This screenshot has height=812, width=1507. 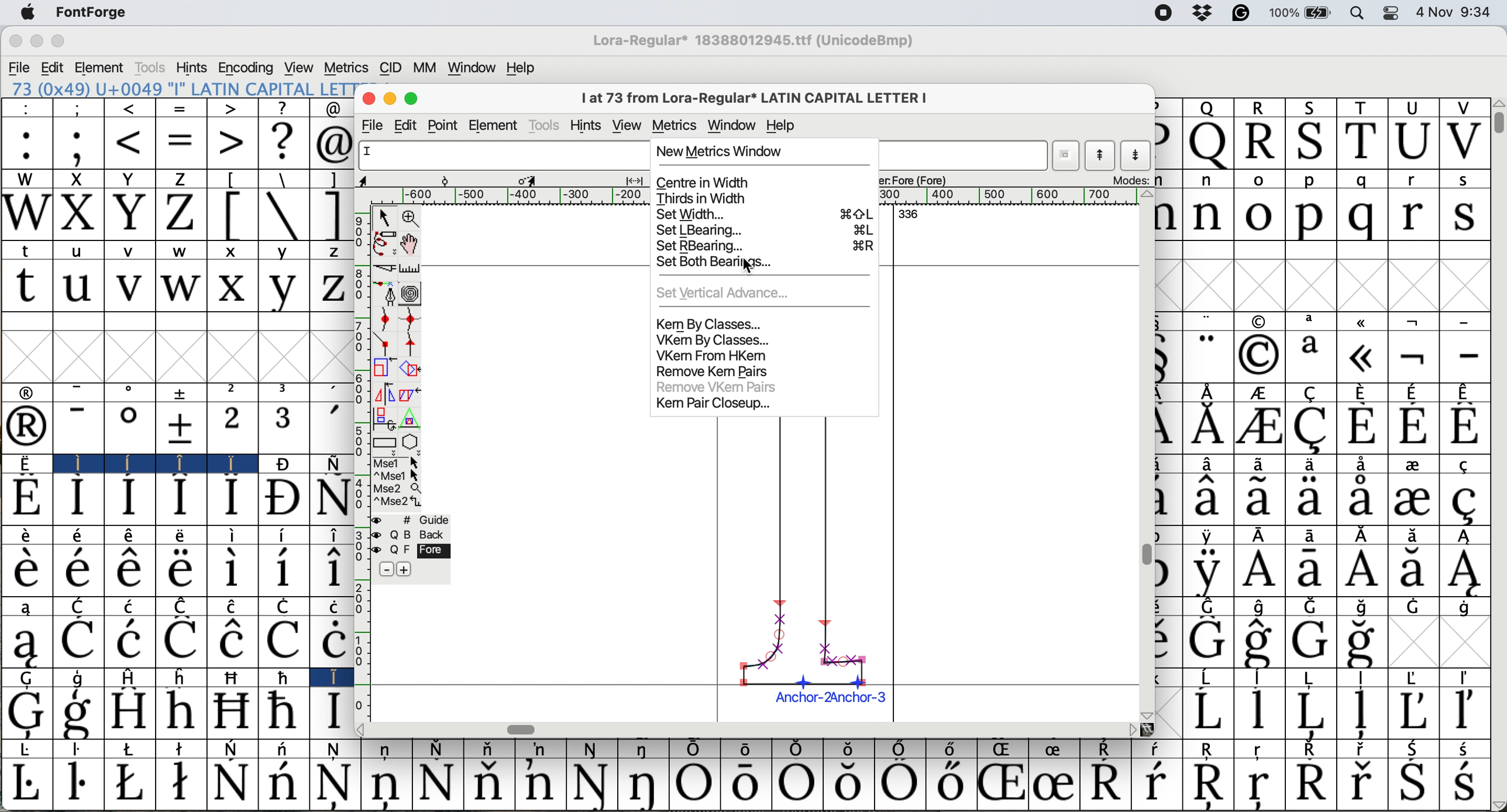 What do you see at coordinates (1363, 607) in the screenshot?
I see `Symbol` at bounding box center [1363, 607].